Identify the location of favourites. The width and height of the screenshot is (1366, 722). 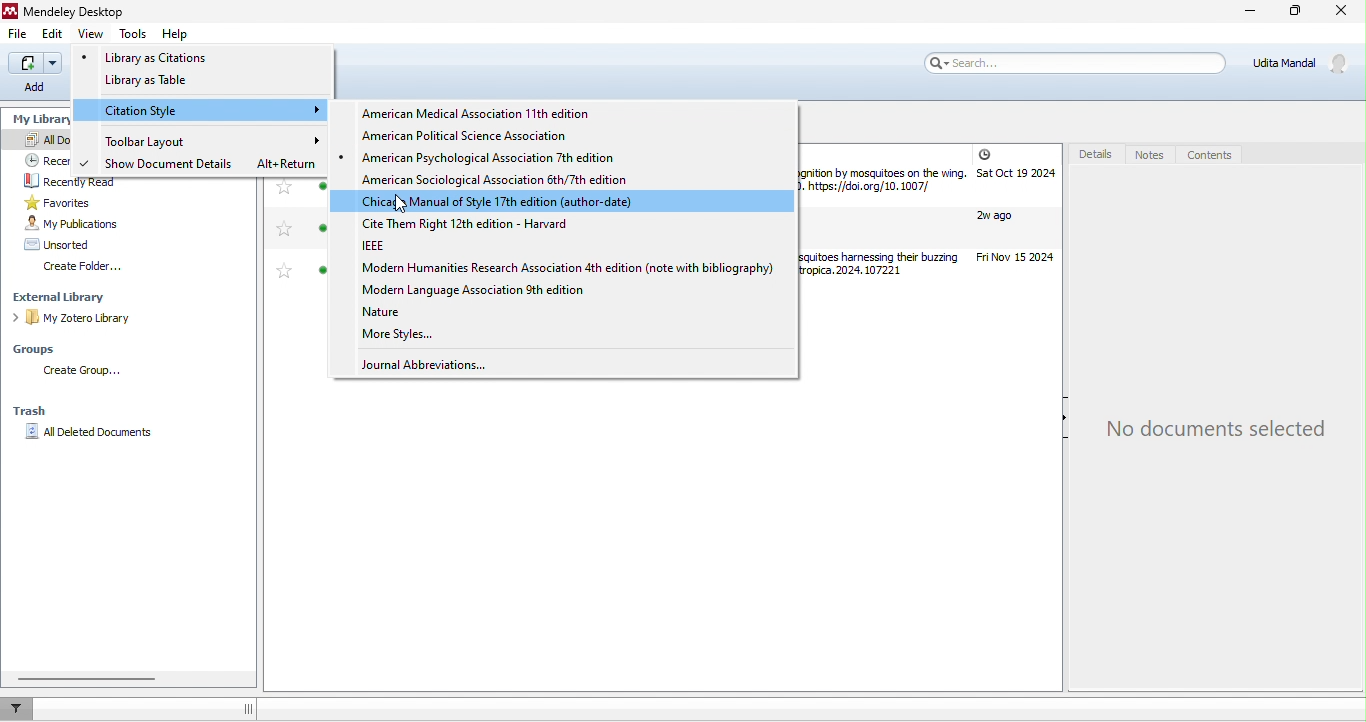
(86, 202).